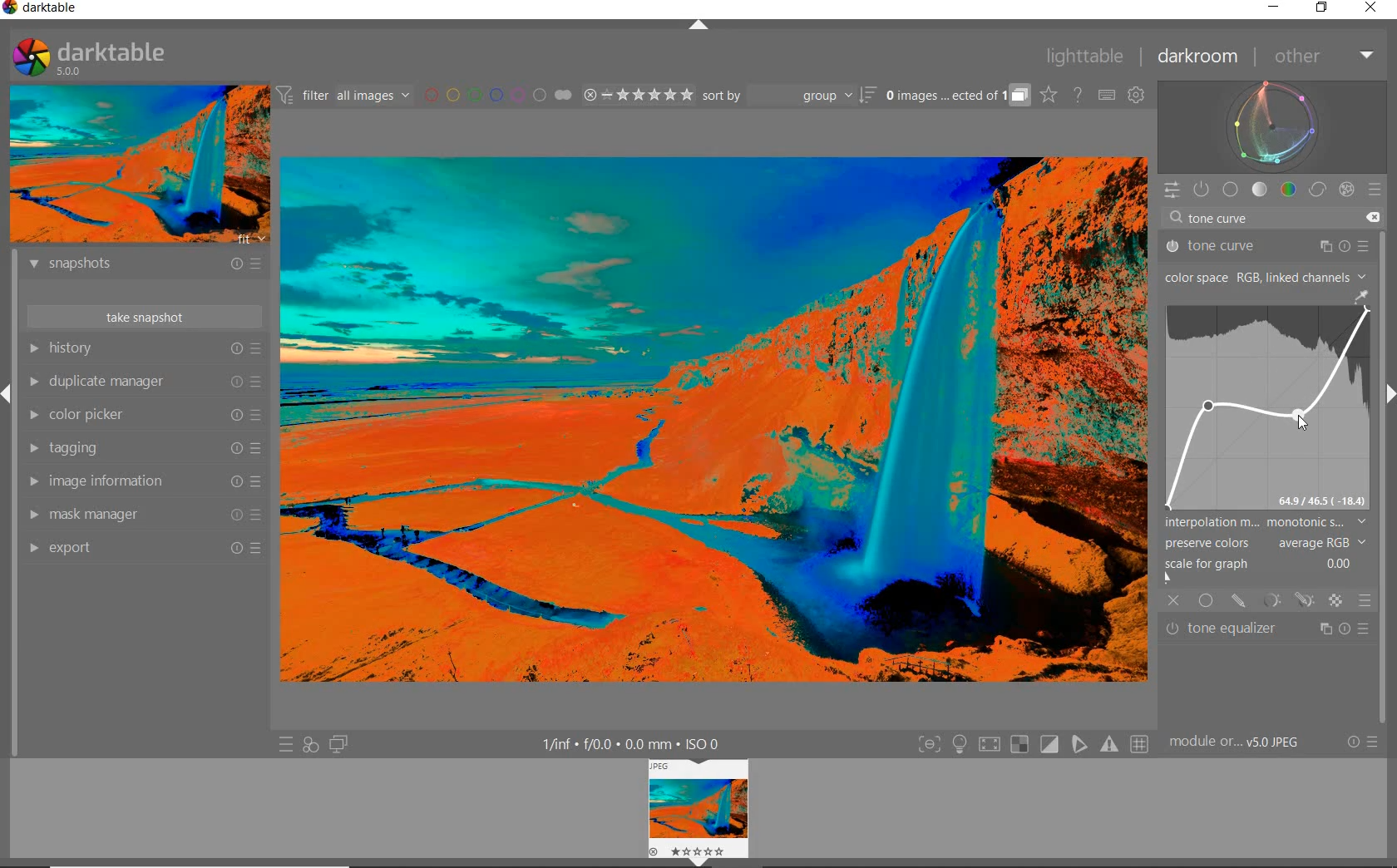  What do you see at coordinates (789, 95) in the screenshot?
I see `sort by` at bounding box center [789, 95].